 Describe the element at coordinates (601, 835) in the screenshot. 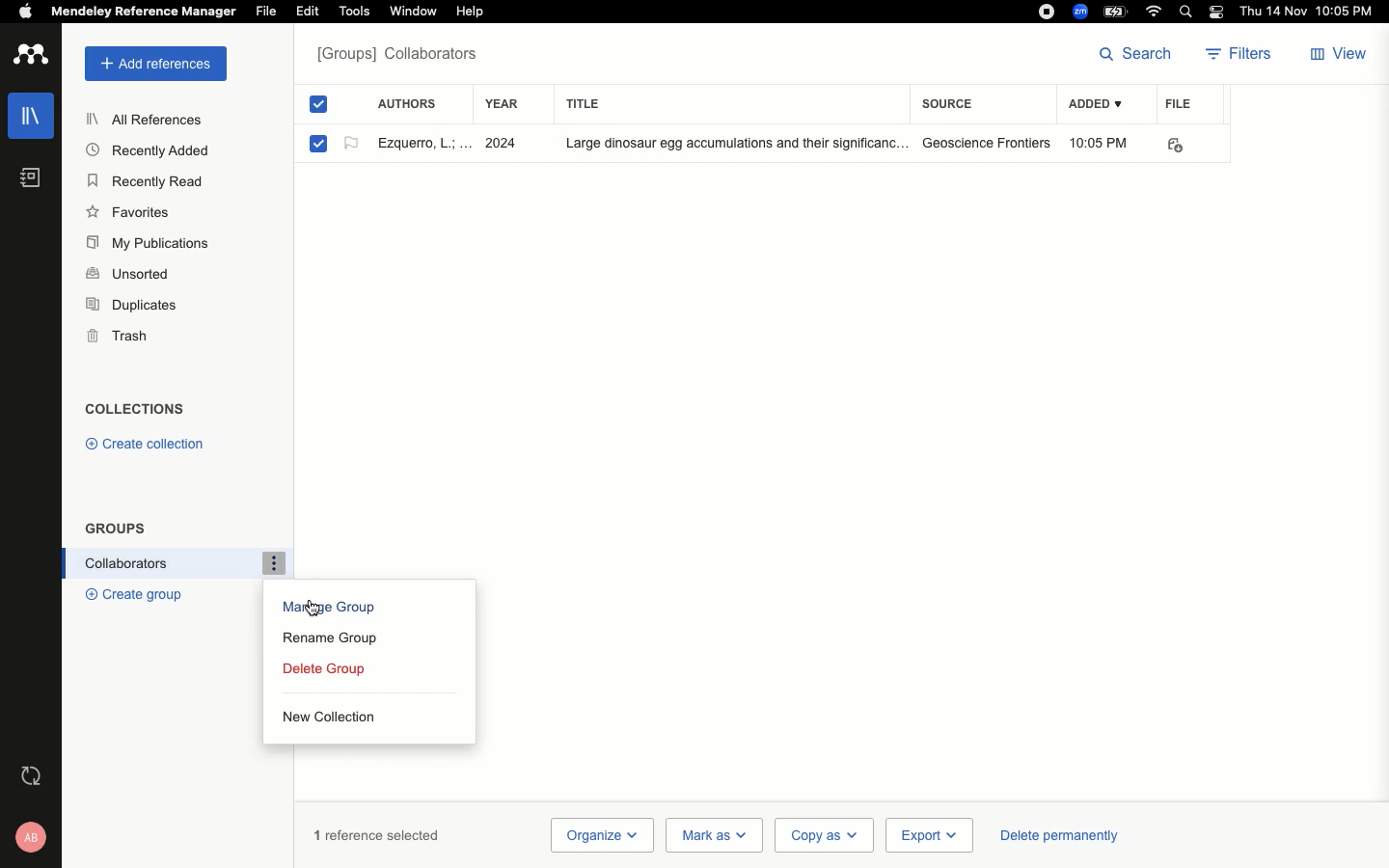

I see `Organize` at that location.